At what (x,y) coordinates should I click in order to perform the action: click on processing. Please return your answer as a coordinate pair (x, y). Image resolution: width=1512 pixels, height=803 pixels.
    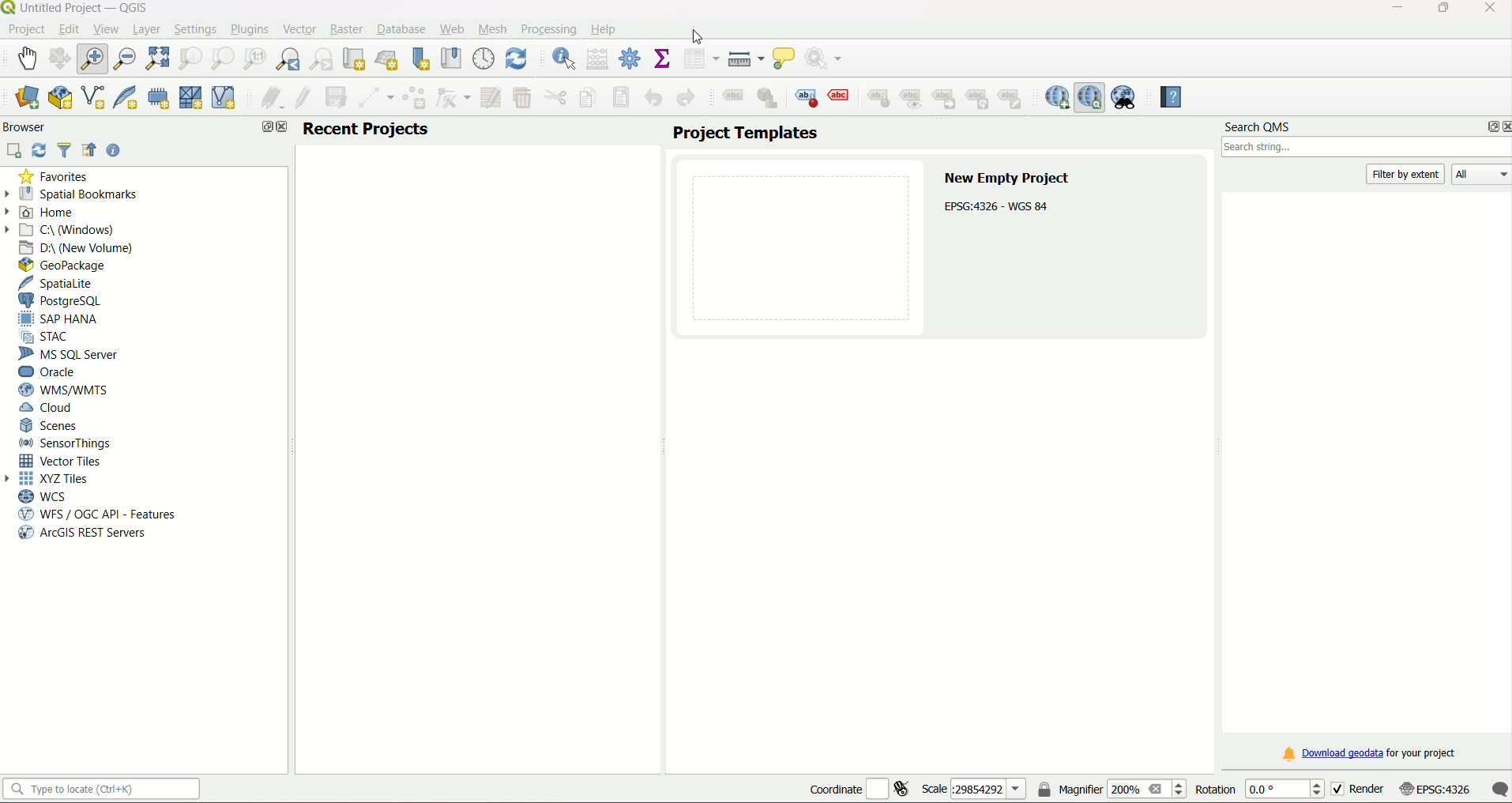
    Looking at the image, I should click on (548, 28).